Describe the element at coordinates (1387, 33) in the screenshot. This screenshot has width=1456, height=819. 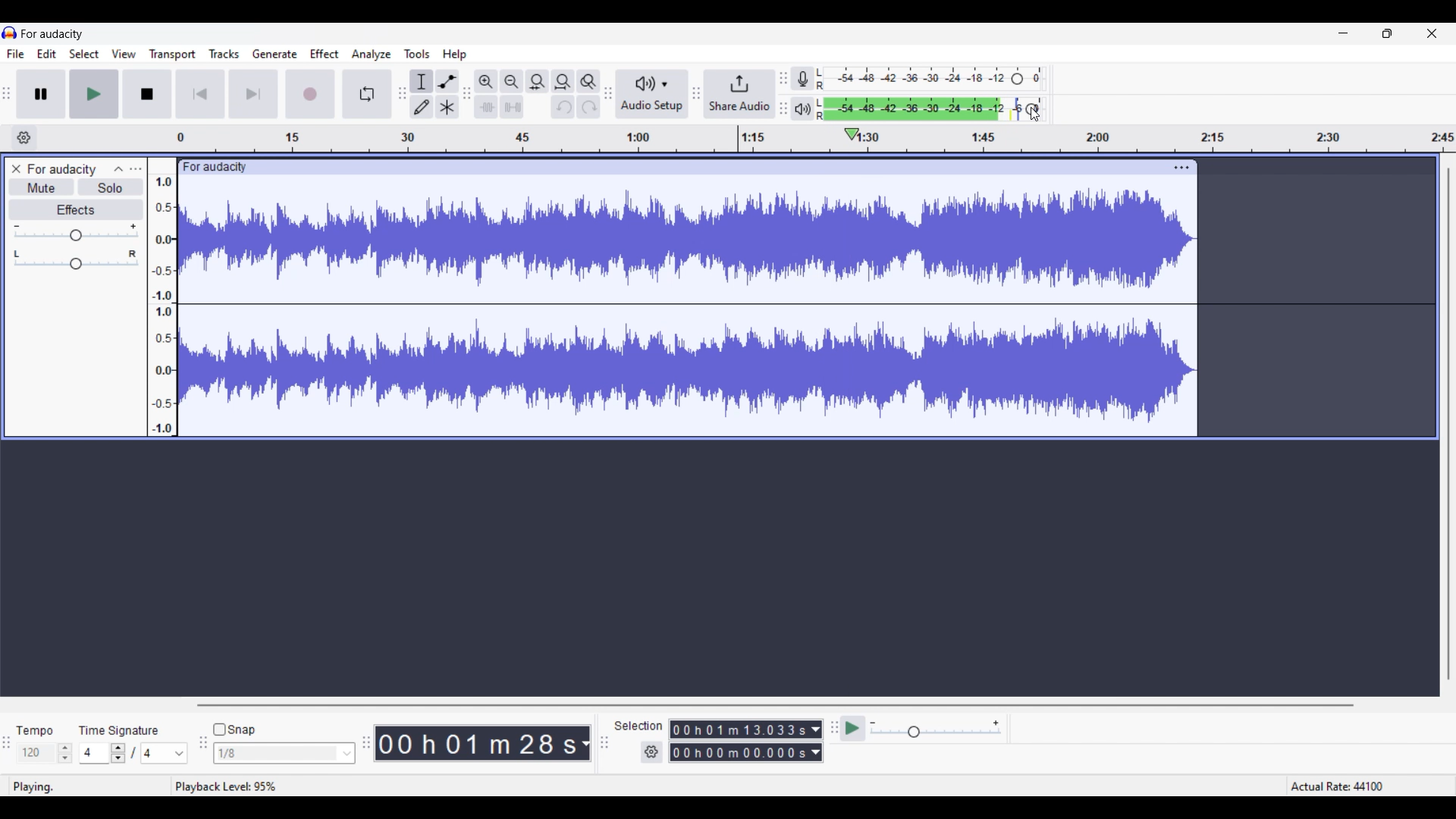
I see `Show in smaller tab` at that location.